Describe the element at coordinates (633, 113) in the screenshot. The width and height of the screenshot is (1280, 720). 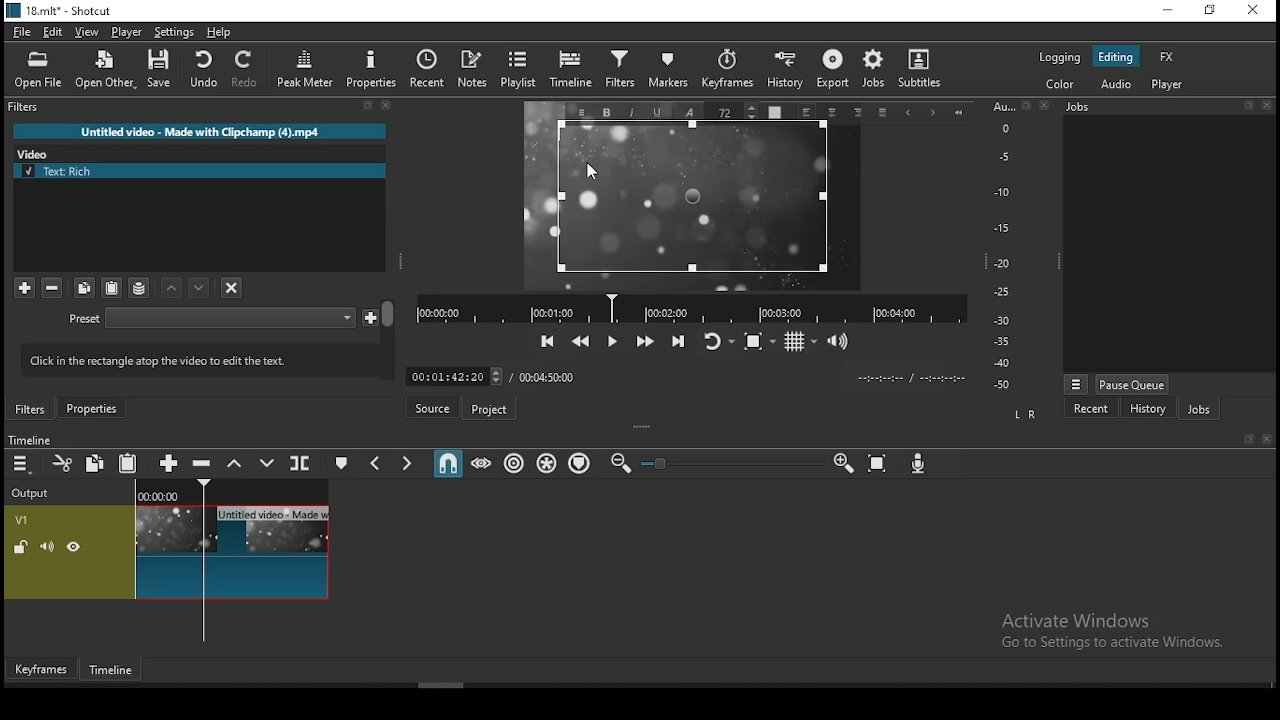
I see `Italic` at that location.